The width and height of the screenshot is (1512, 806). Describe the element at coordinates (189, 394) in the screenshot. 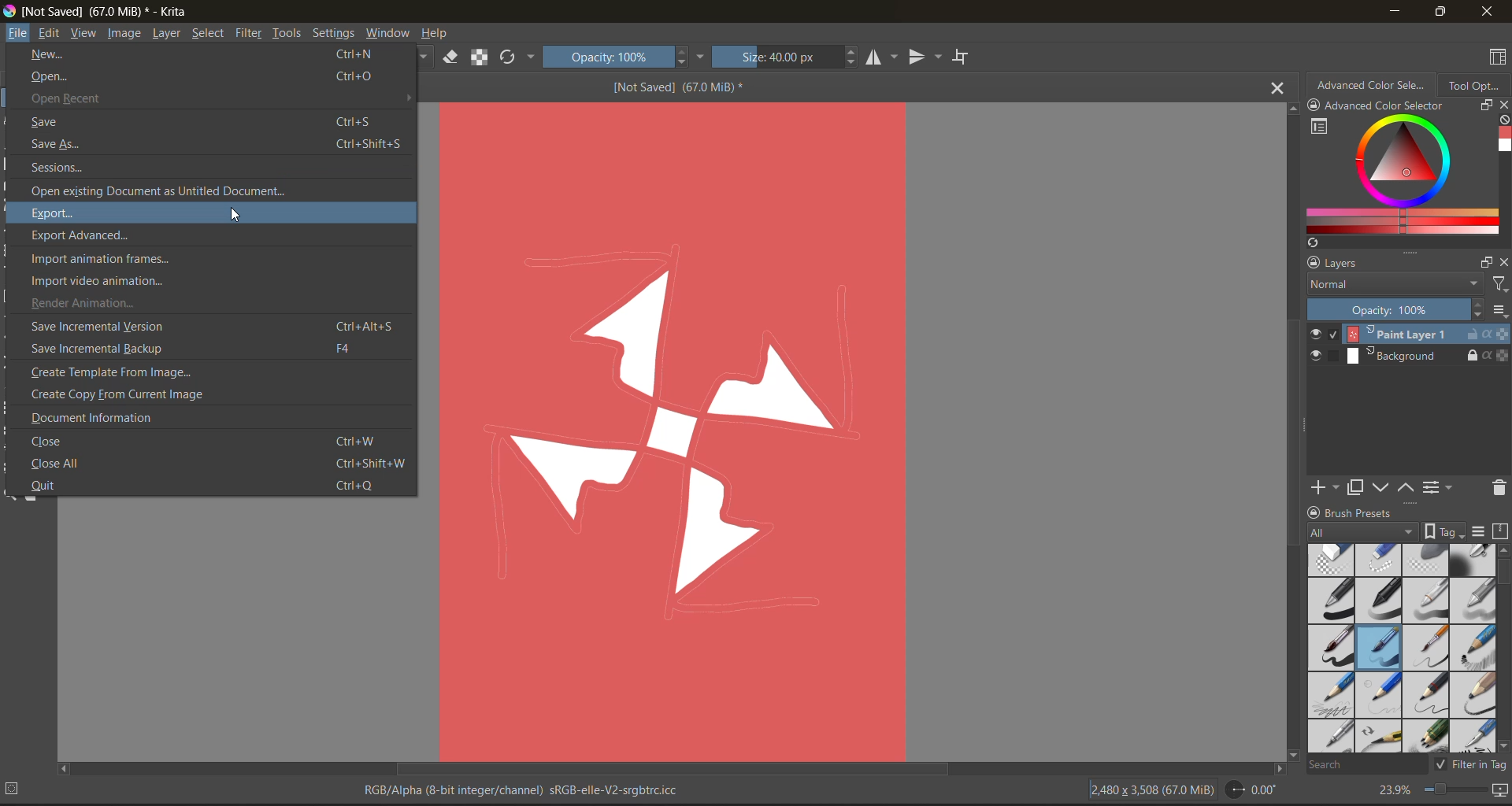

I see `create copy from current image` at that location.